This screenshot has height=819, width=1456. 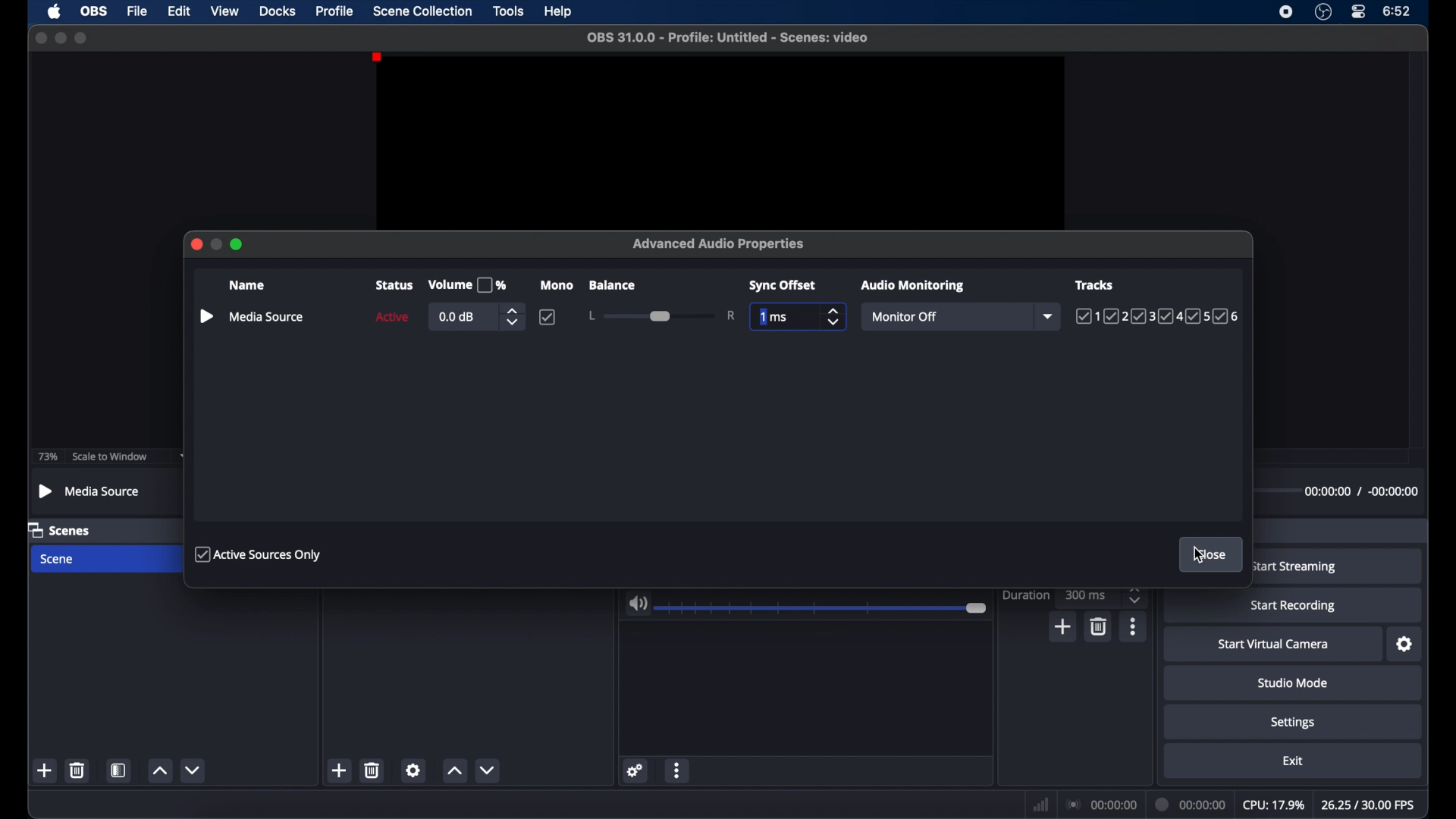 I want to click on monitor off, so click(x=904, y=317).